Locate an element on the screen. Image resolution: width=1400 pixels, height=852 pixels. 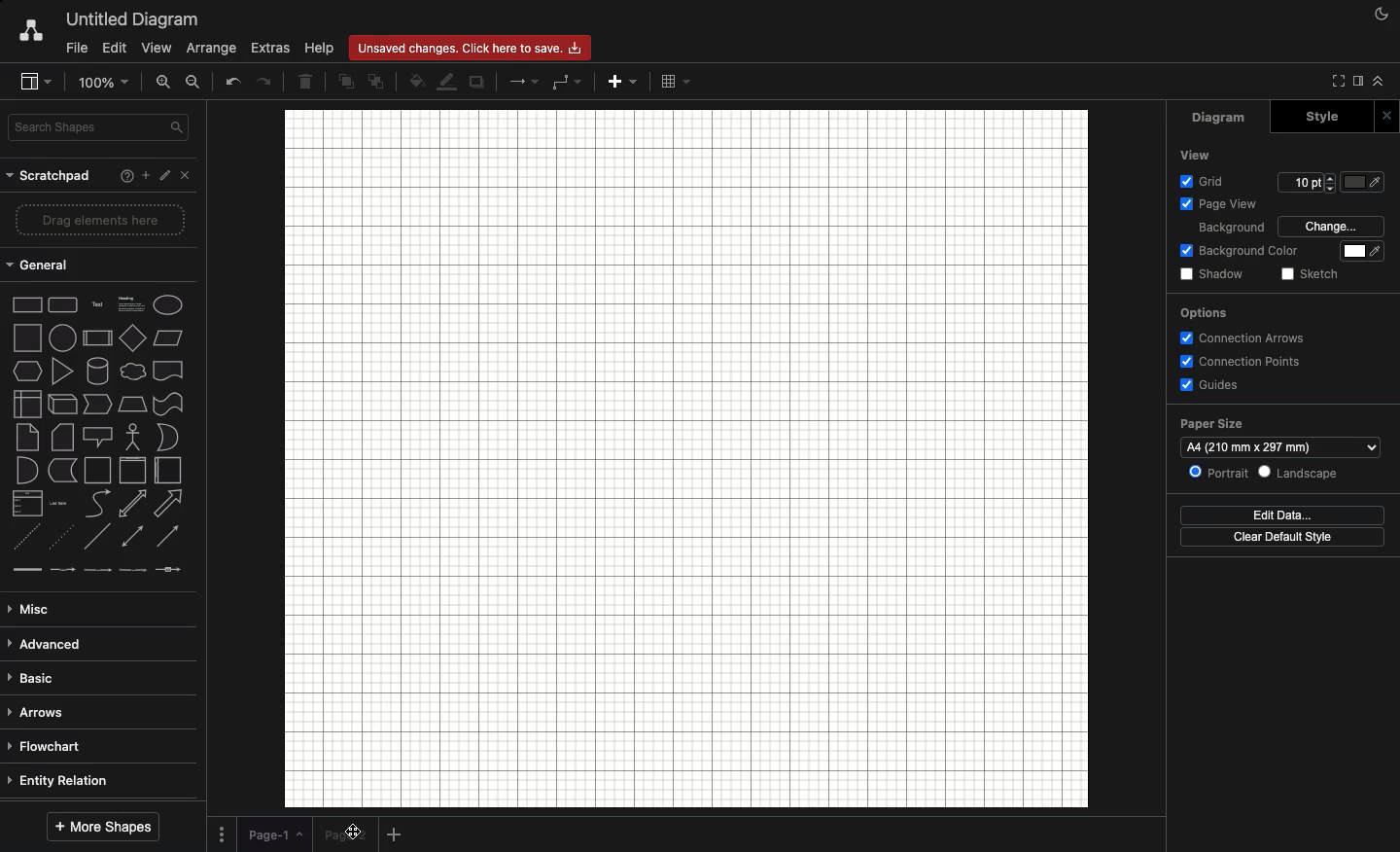
Table is located at coordinates (678, 81).